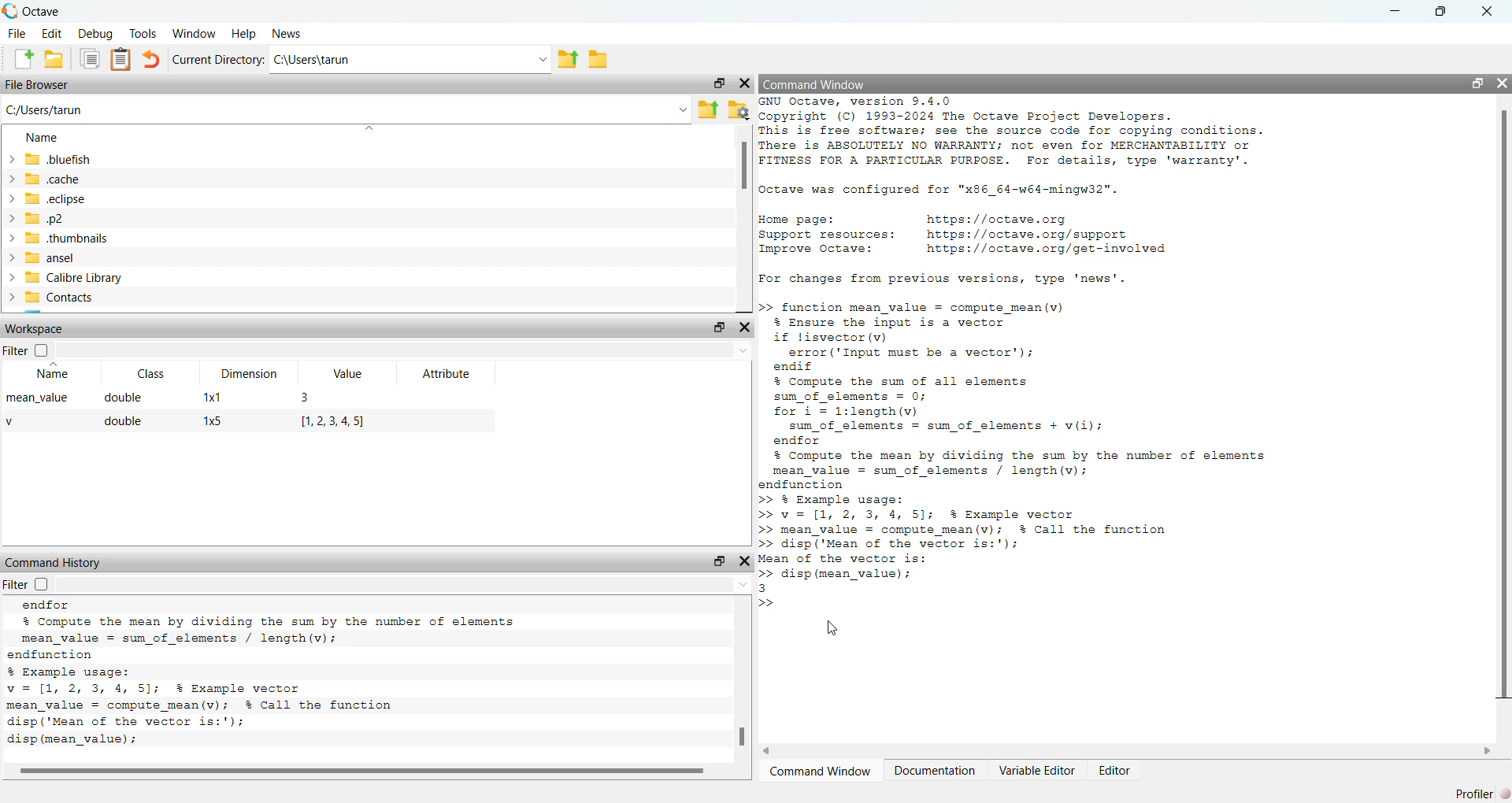  I want to click on expand/collapse, so click(11, 228).